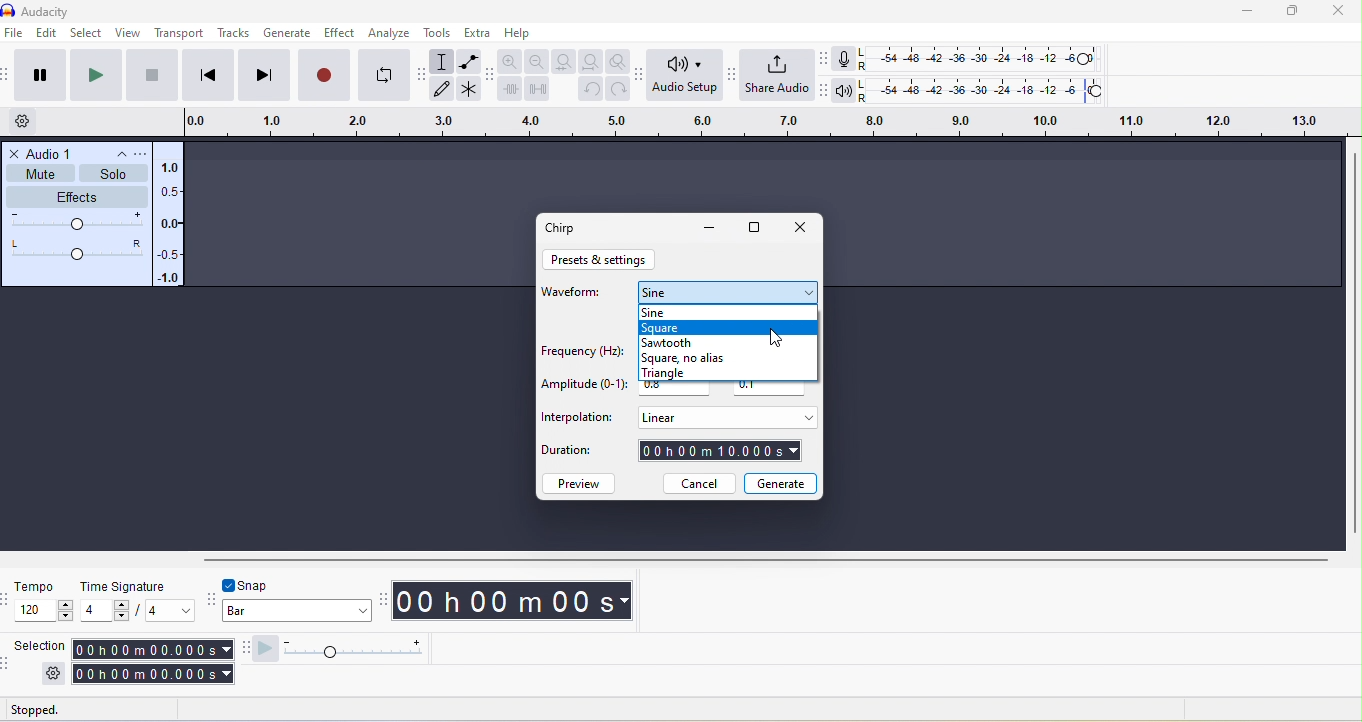  What do you see at coordinates (181, 34) in the screenshot?
I see `transport` at bounding box center [181, 34].